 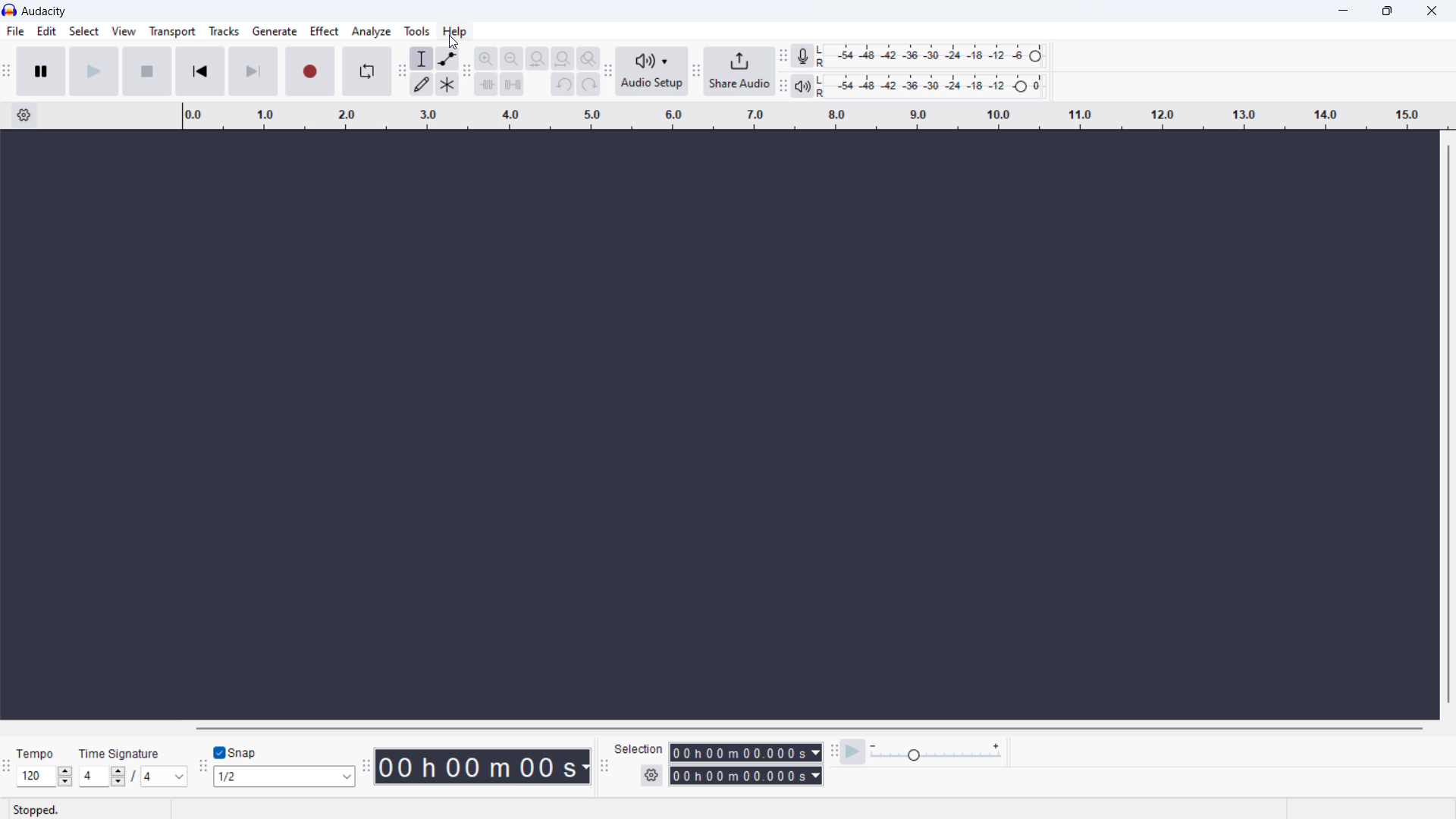 What do you see at coordinates (275, 31) in the screenshot?
I see `generate` at bounding box center [275, 31].